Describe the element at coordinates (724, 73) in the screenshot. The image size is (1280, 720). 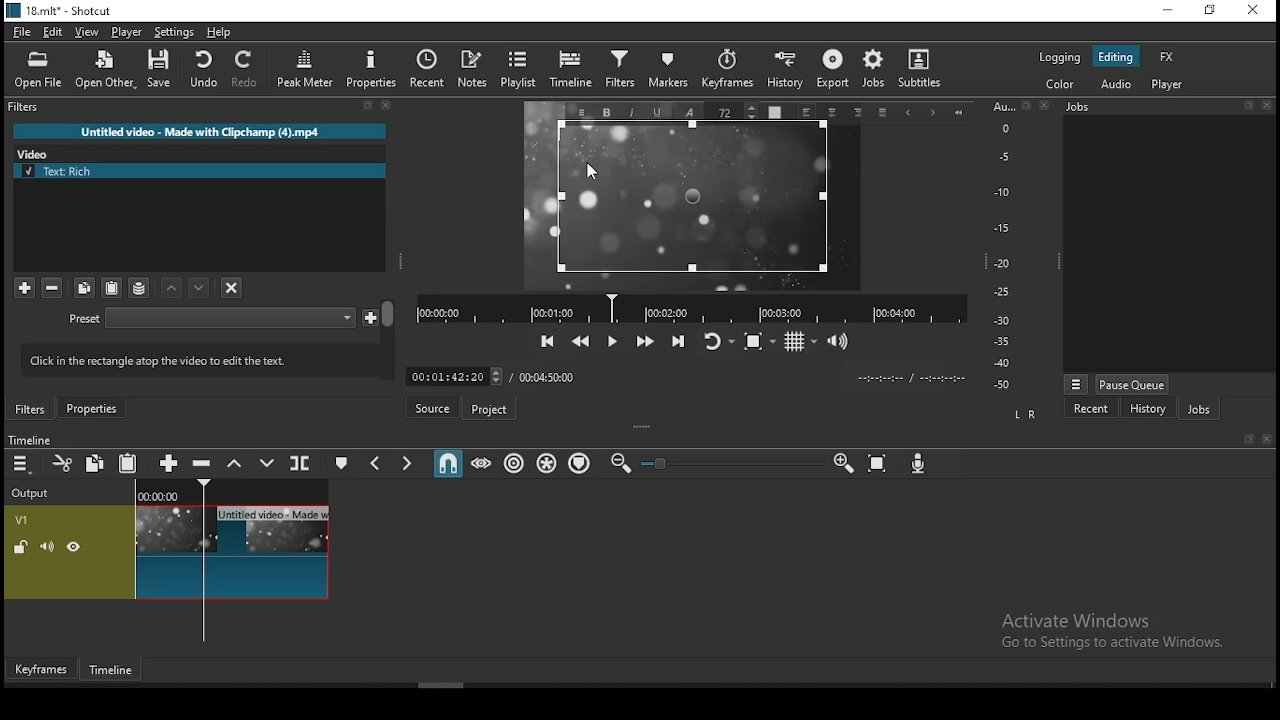
I see `keyframes` at that location.